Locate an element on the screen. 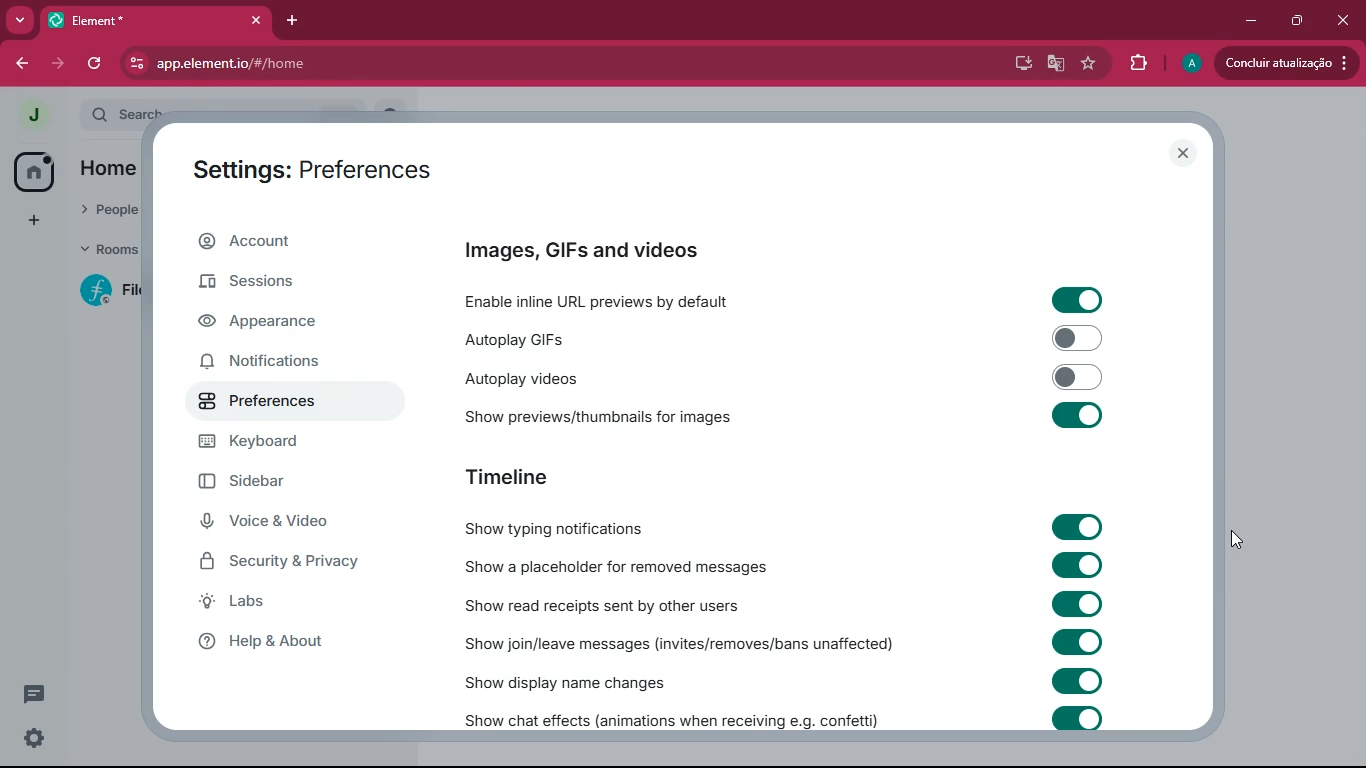 Image resolution: width=1366 pixels, height=768 pixels. enable inline URL previews by default is located at coordinates (610, 299).